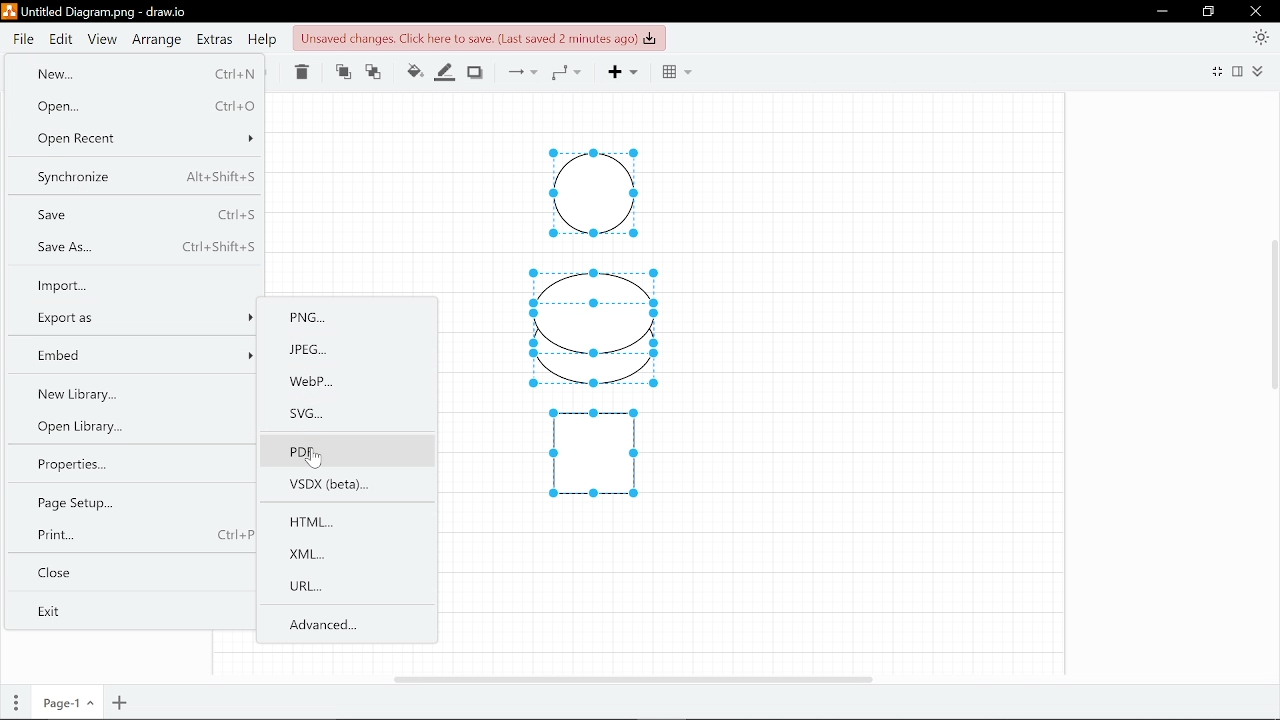 This screenshot has height=720, width=1280. Describe the element at coordinates (344, 415) in the screenshot. I see `SVG` at that location.